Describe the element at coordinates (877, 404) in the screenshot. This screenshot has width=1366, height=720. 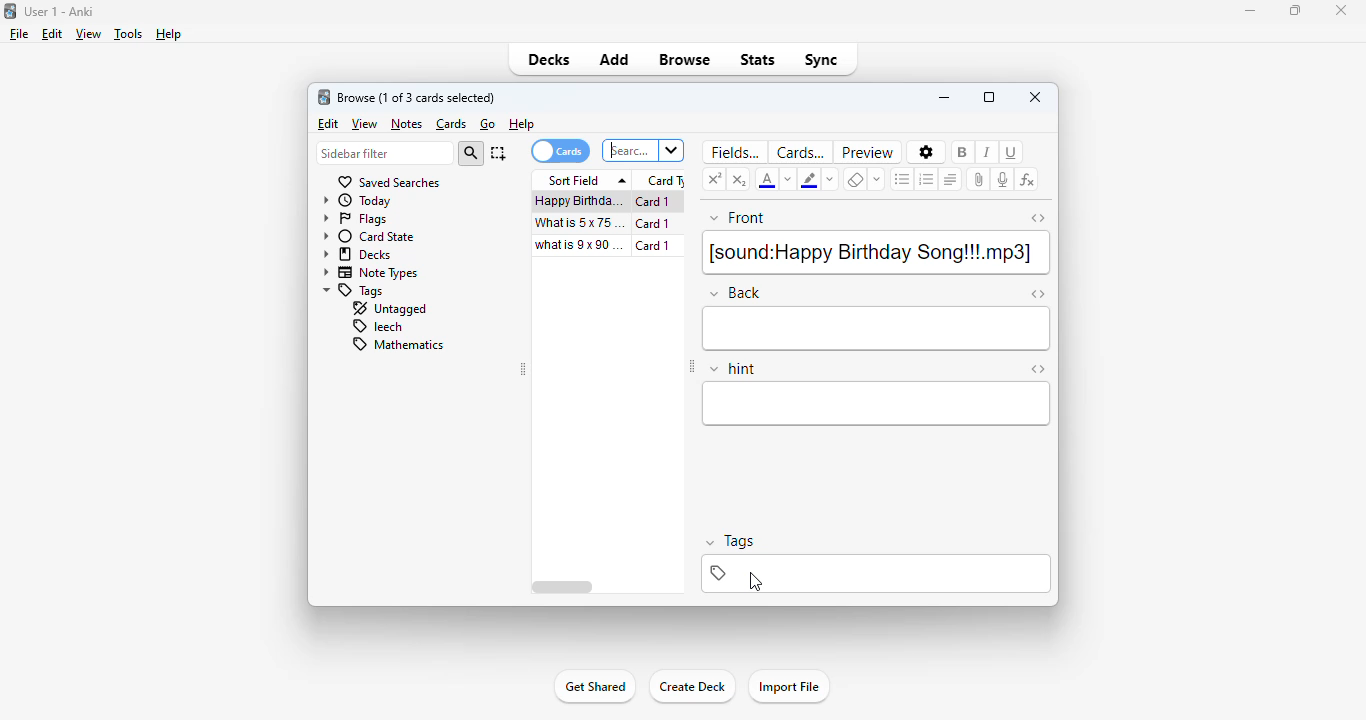
I see `hint` at that location.